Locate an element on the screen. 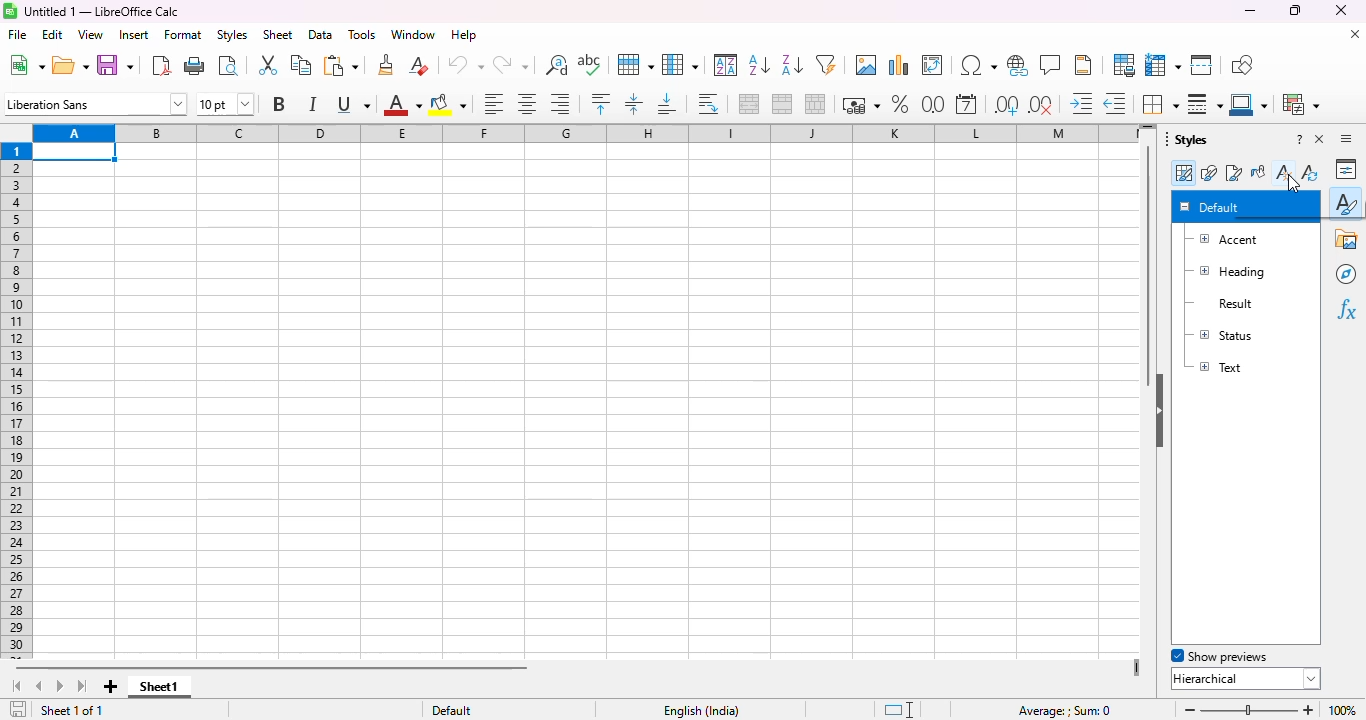 This screenshot has height=720, width=1366. help about this sidebar deck is located at coordinates (1299, 138).